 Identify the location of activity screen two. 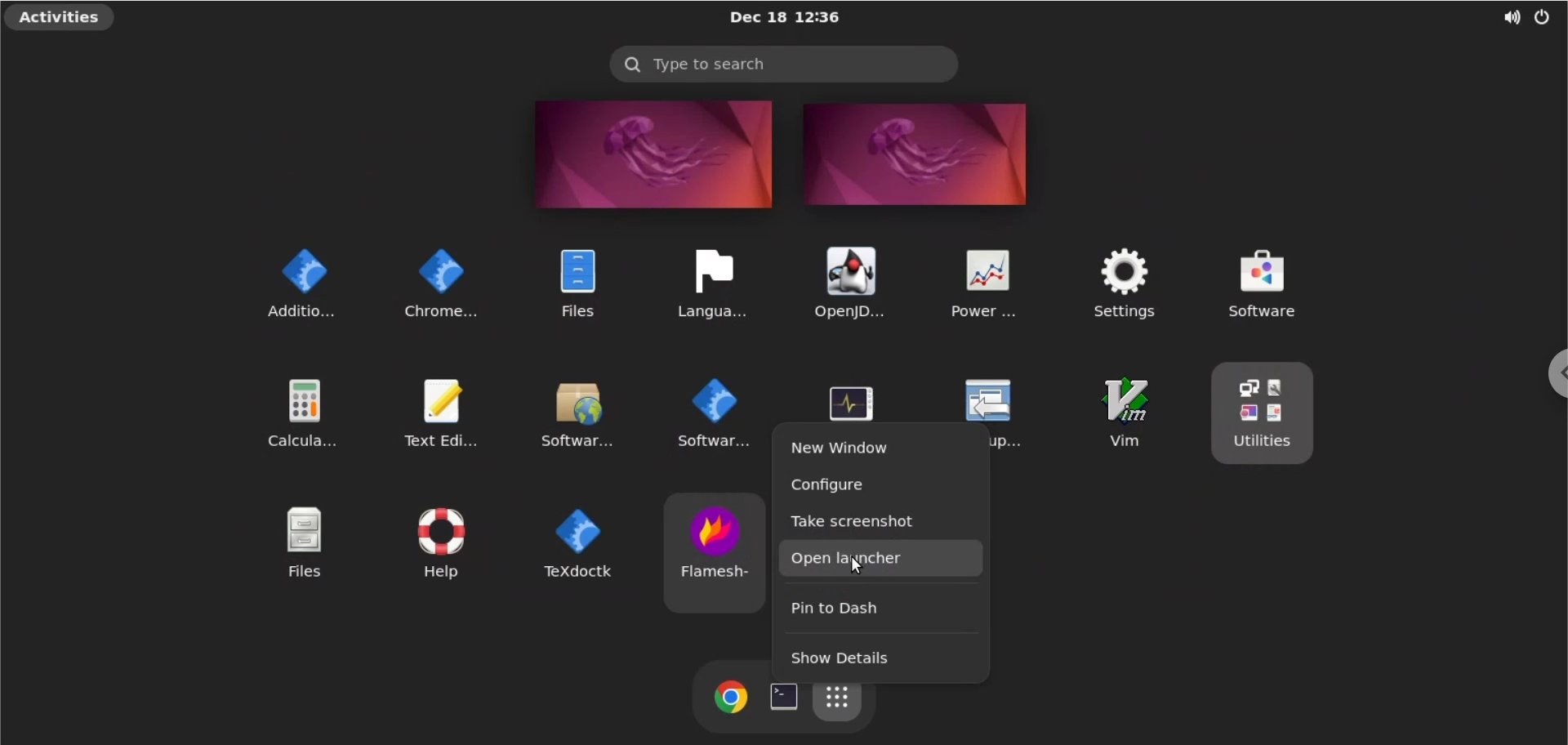
(918, 155).